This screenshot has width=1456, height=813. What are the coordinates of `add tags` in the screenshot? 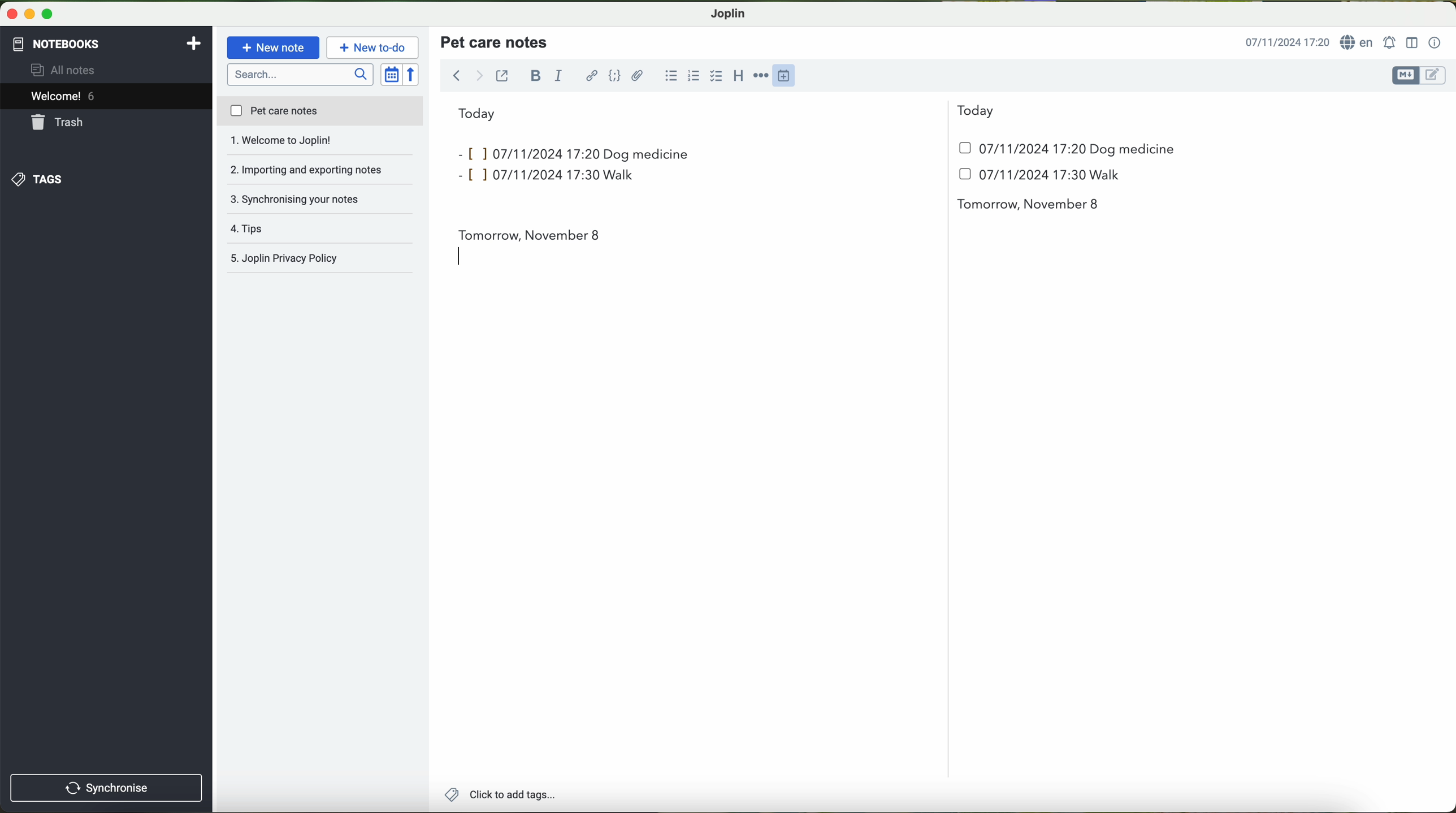 It's located at (500, 796).